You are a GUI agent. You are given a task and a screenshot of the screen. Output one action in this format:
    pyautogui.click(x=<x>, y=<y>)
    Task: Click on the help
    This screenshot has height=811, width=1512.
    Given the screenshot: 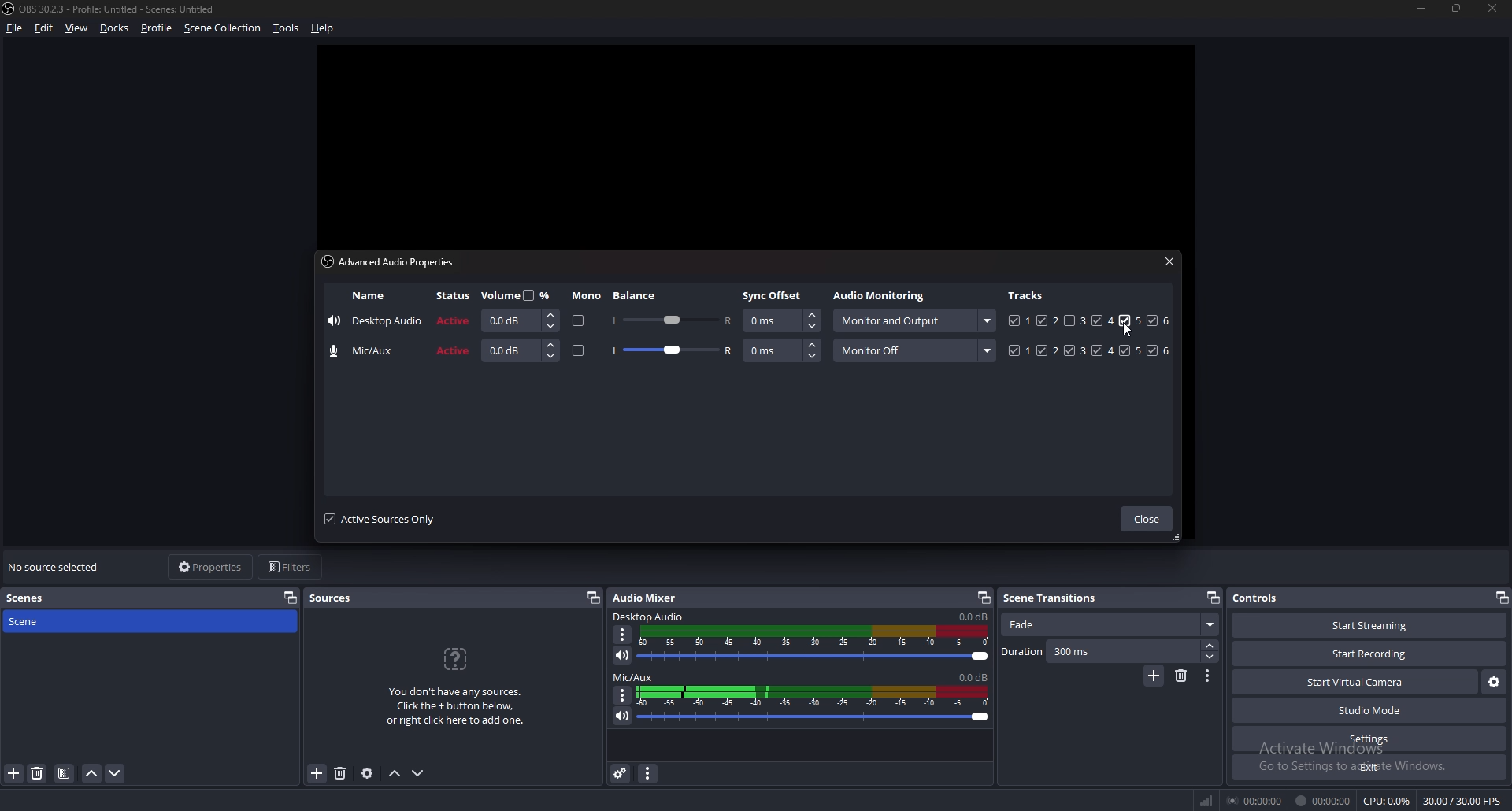 What is the action you would take?
    pyautogui.click(x=325, y=27)
    